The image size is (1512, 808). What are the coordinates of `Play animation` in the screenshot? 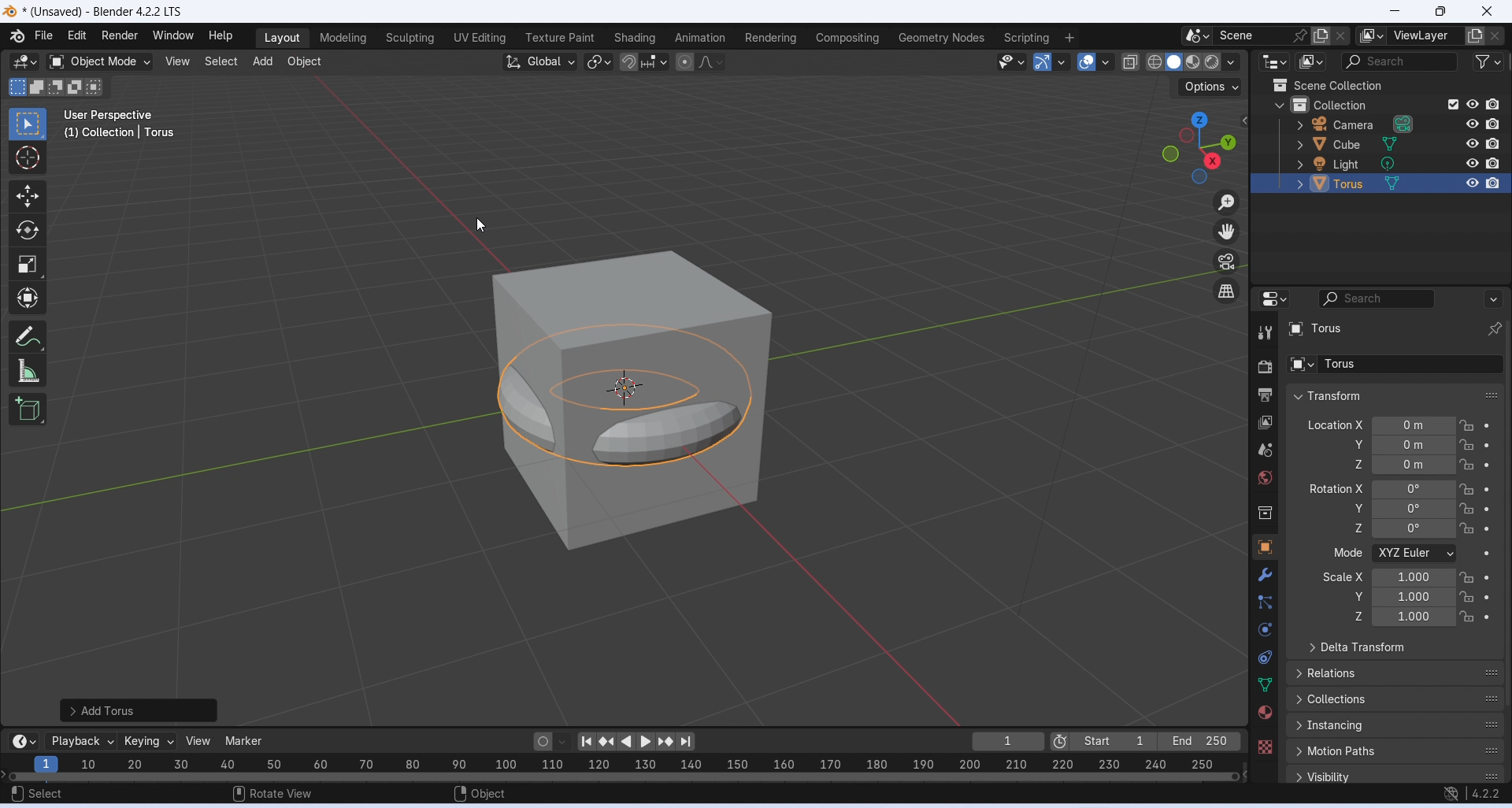 It's located at (624, 742).